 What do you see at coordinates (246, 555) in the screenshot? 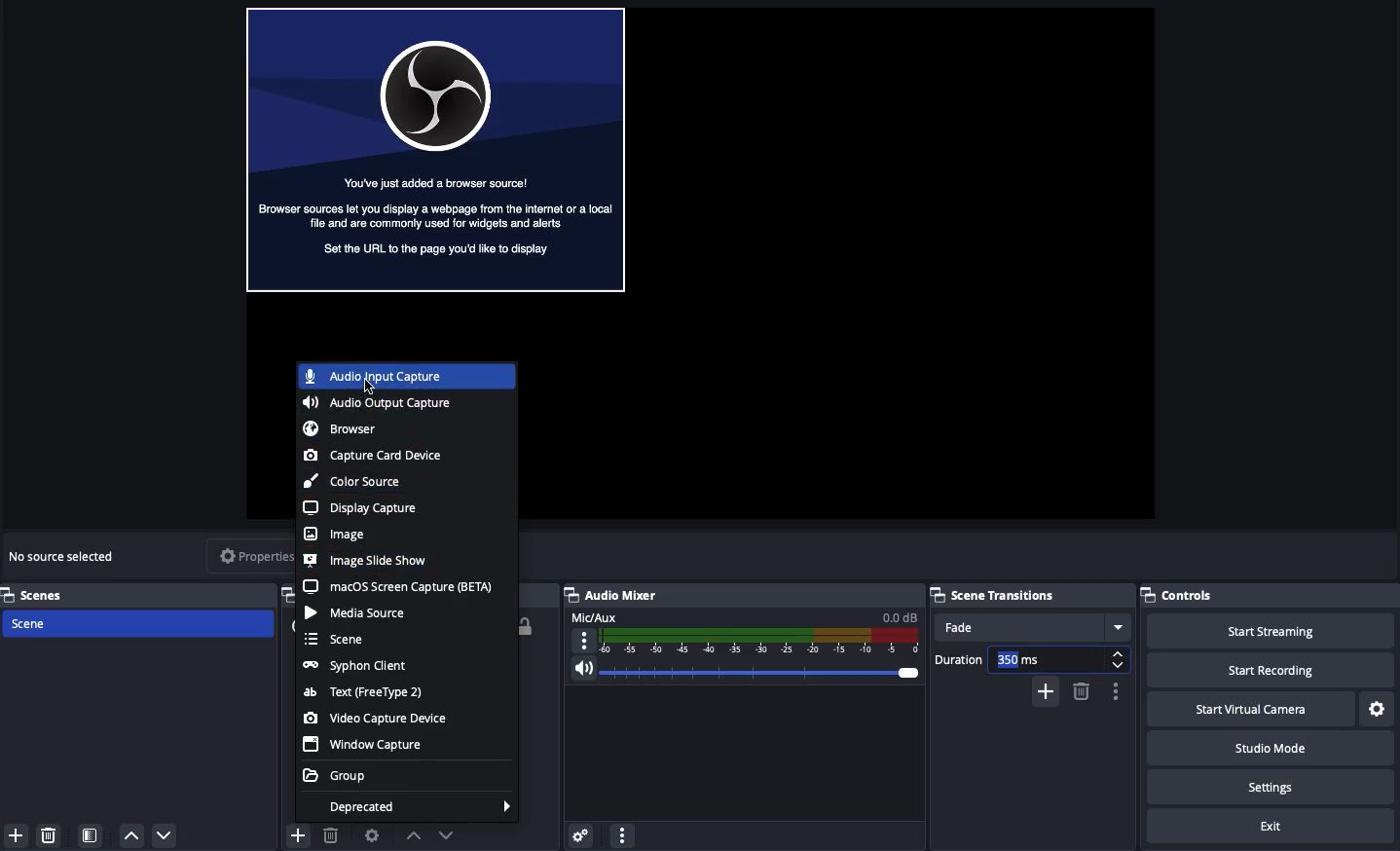
I see `Properties` at bounding box center [246, 555].